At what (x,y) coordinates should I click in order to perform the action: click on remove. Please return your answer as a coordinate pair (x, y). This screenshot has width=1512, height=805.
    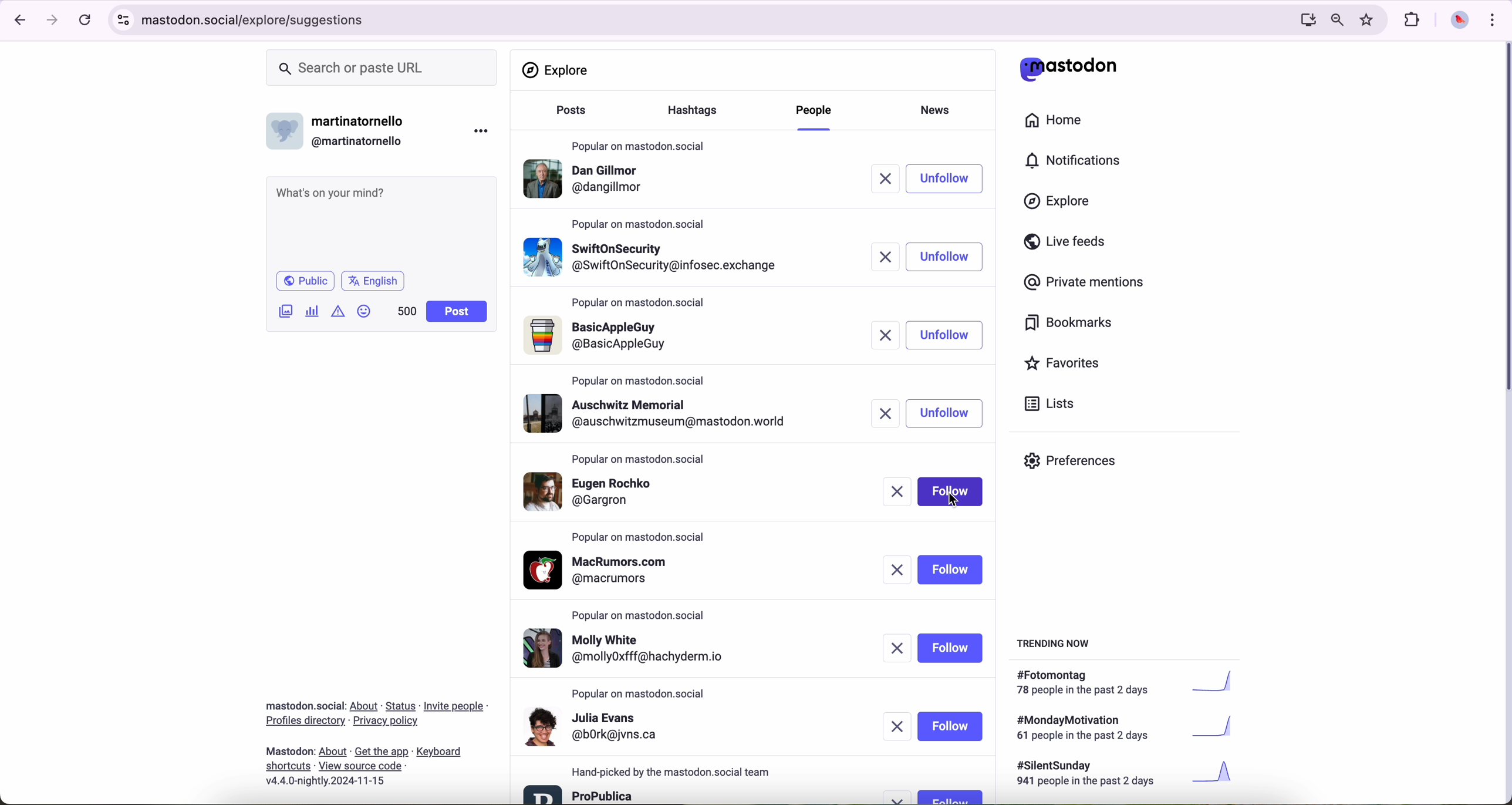
    Looking at the image, I should click on (889, 336).